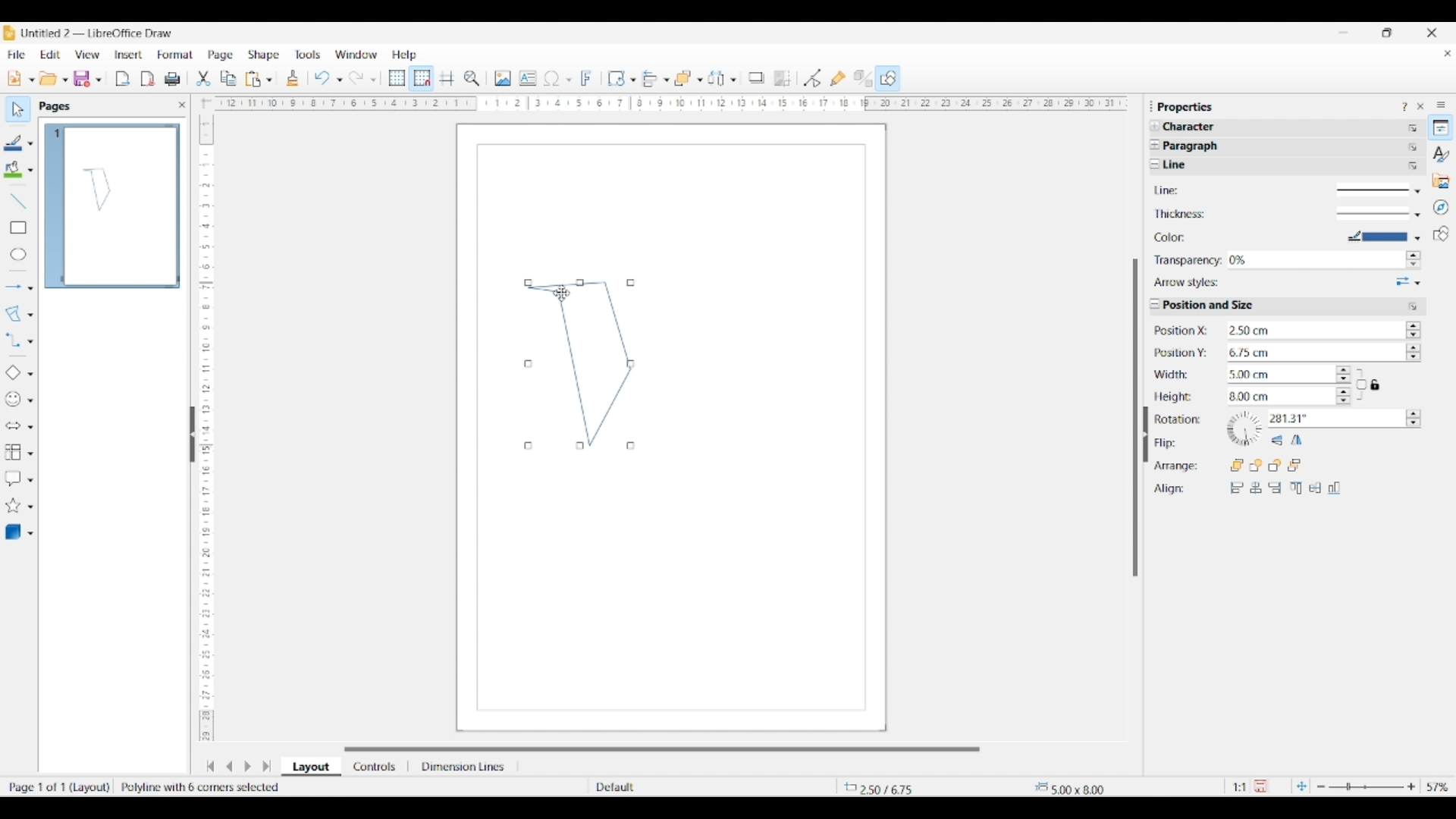 The height and width of the screenshot is (819, 1456). Describe the element at coordinates (528, 78) in the screenshot. I see `Insert text box` at that location.